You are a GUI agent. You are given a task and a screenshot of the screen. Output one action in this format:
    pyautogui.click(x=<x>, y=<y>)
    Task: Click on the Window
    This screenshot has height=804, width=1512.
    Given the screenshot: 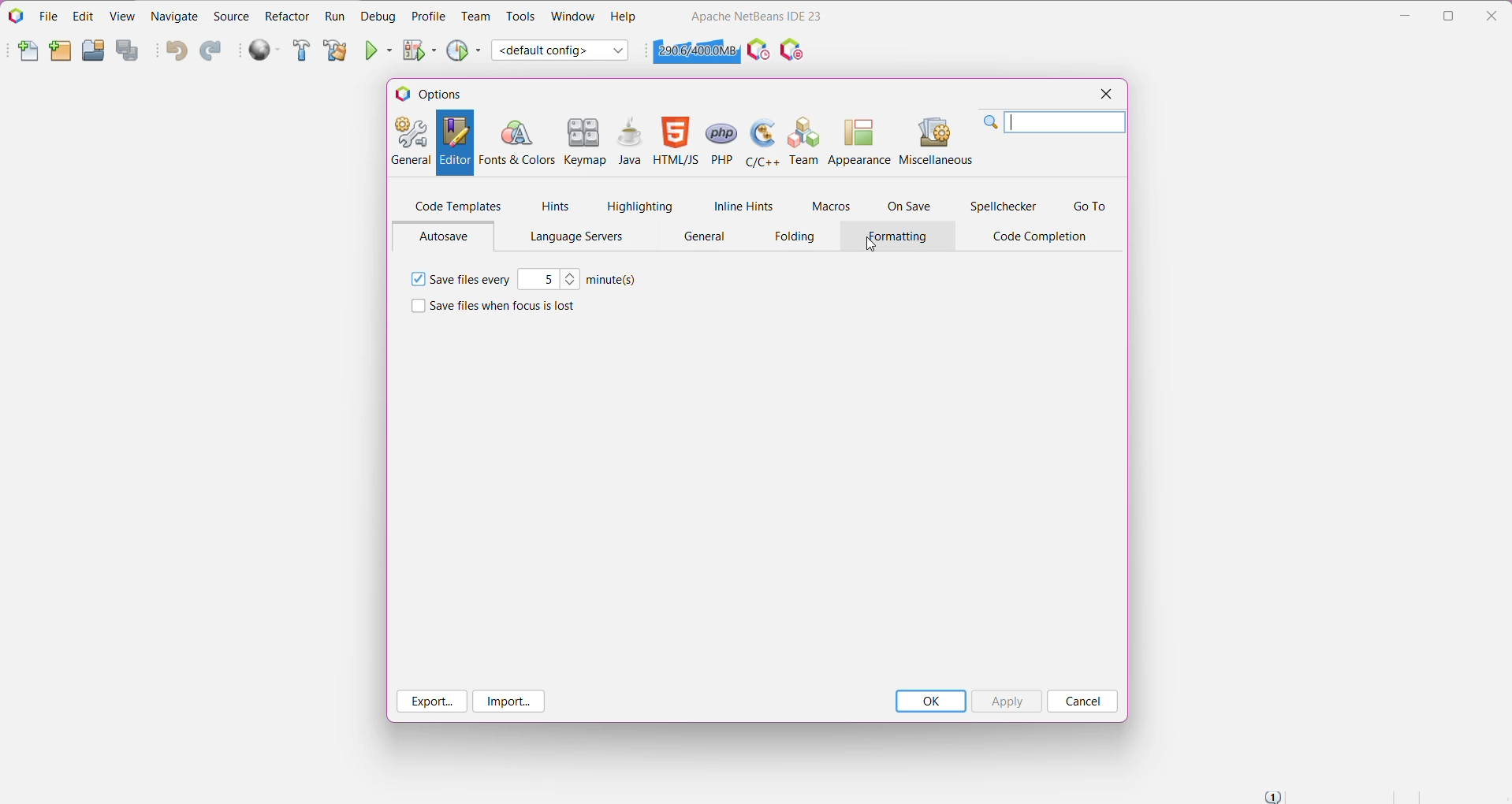 What is the action you would take?
    pyautogui.click(x=572, y=16)
    